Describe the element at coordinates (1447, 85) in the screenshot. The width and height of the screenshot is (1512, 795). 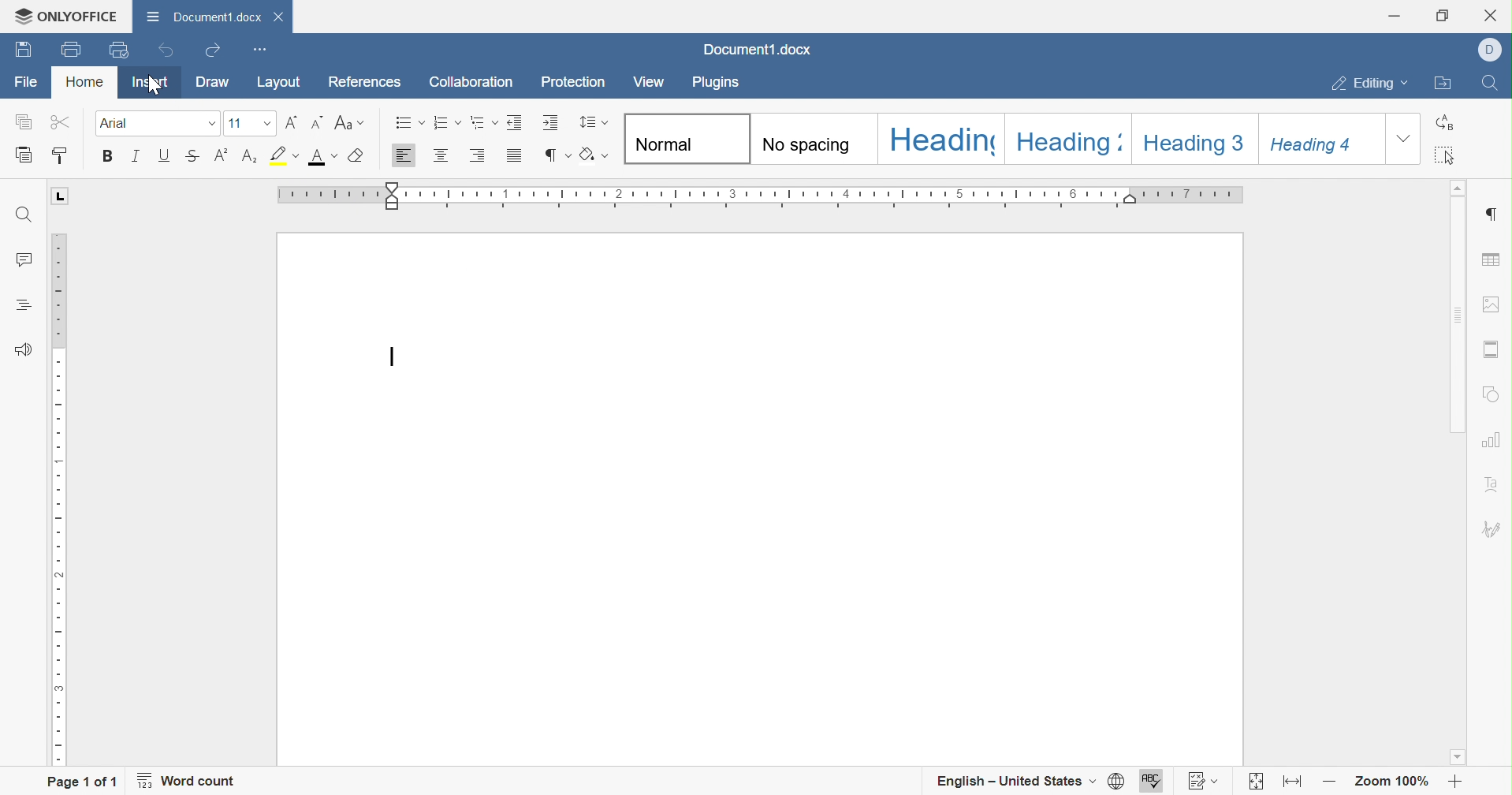
I see `Open file location` at that location.